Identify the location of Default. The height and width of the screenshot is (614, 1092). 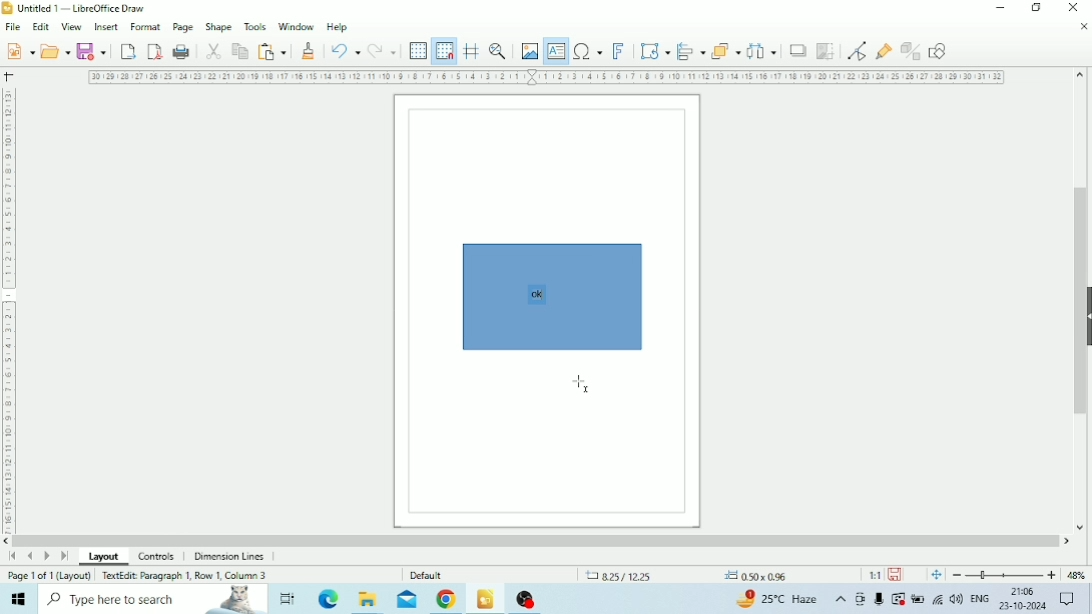
(428, 574).